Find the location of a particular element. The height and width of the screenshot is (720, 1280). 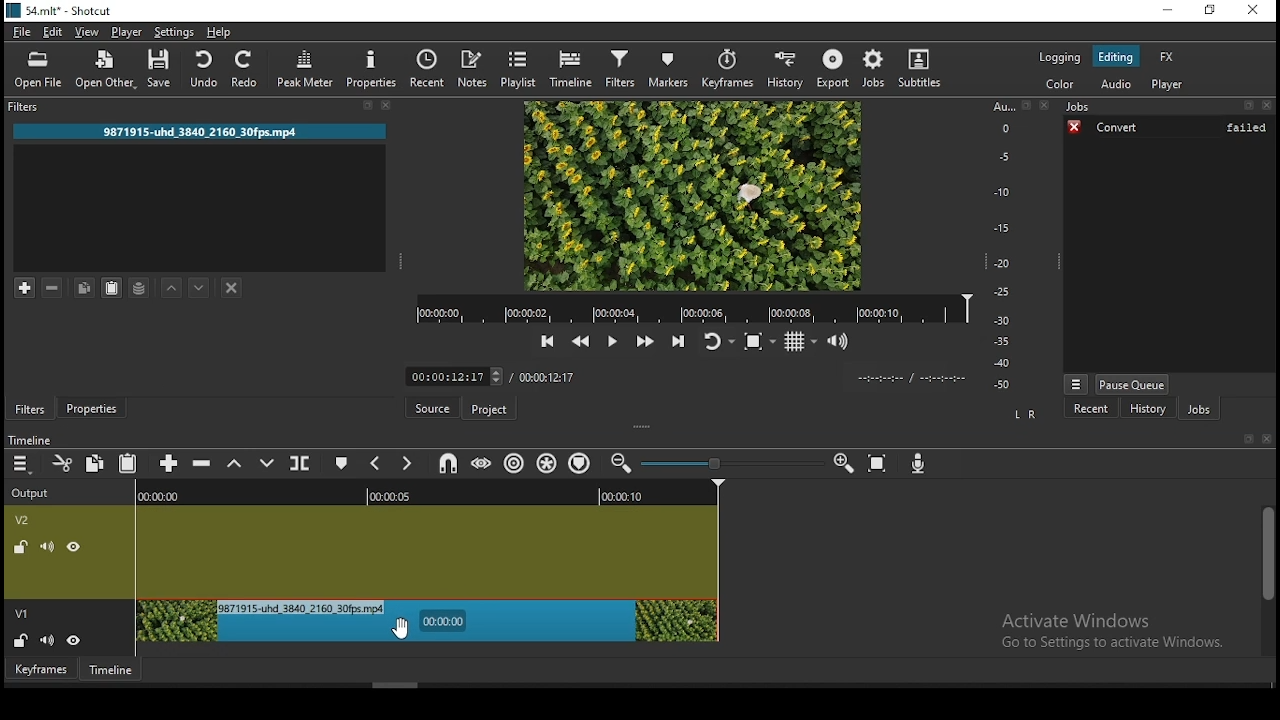

timer is located at coordinates (911, 378).